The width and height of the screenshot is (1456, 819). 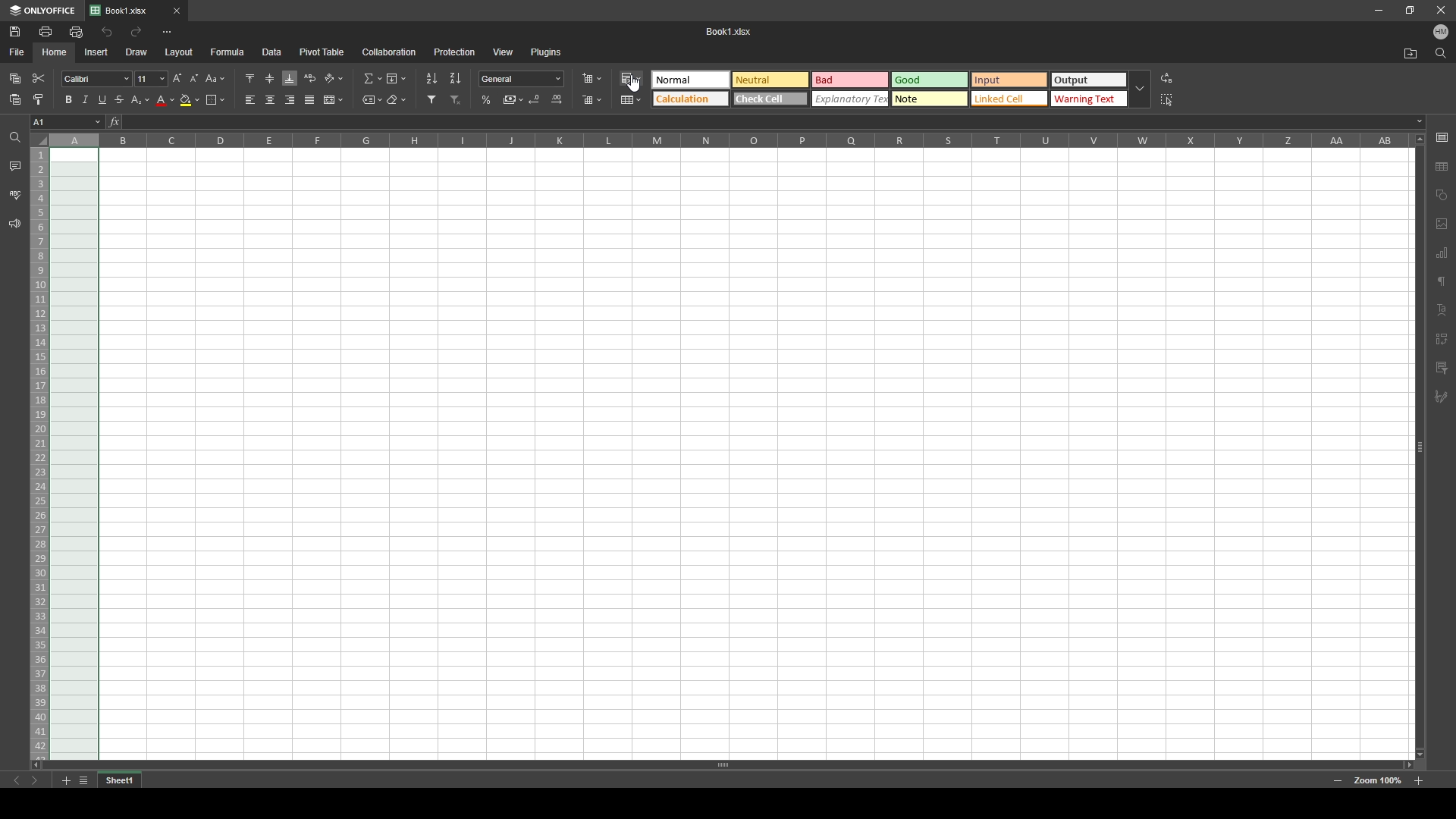 I want to click on justified, so click(x=310, y=100).